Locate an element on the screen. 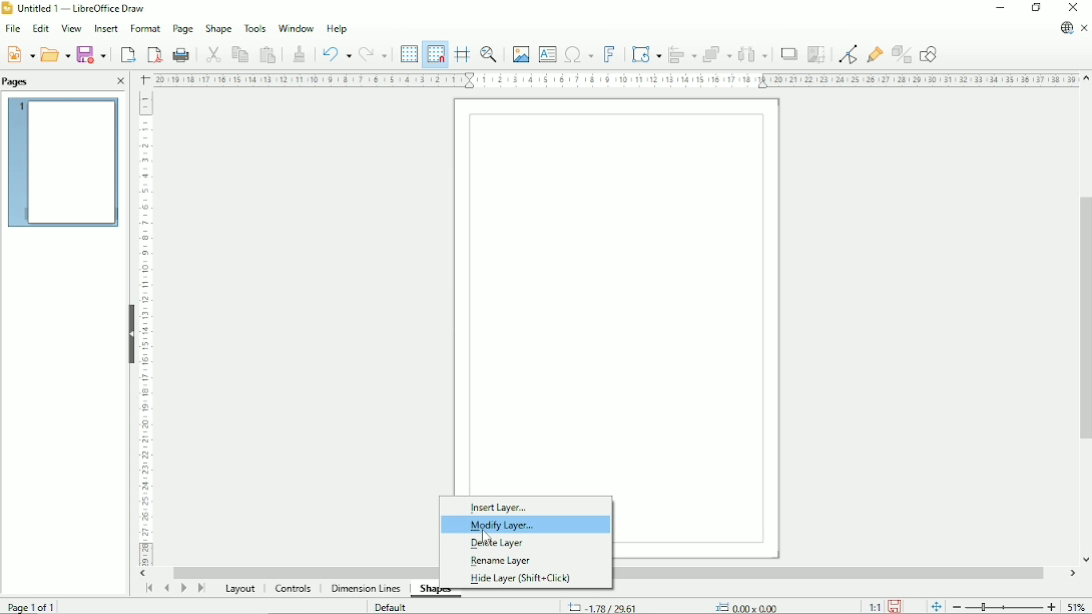 The width and height of the screenshot is (1092, 614). Snap to grid is located at coordinates (435, 54).